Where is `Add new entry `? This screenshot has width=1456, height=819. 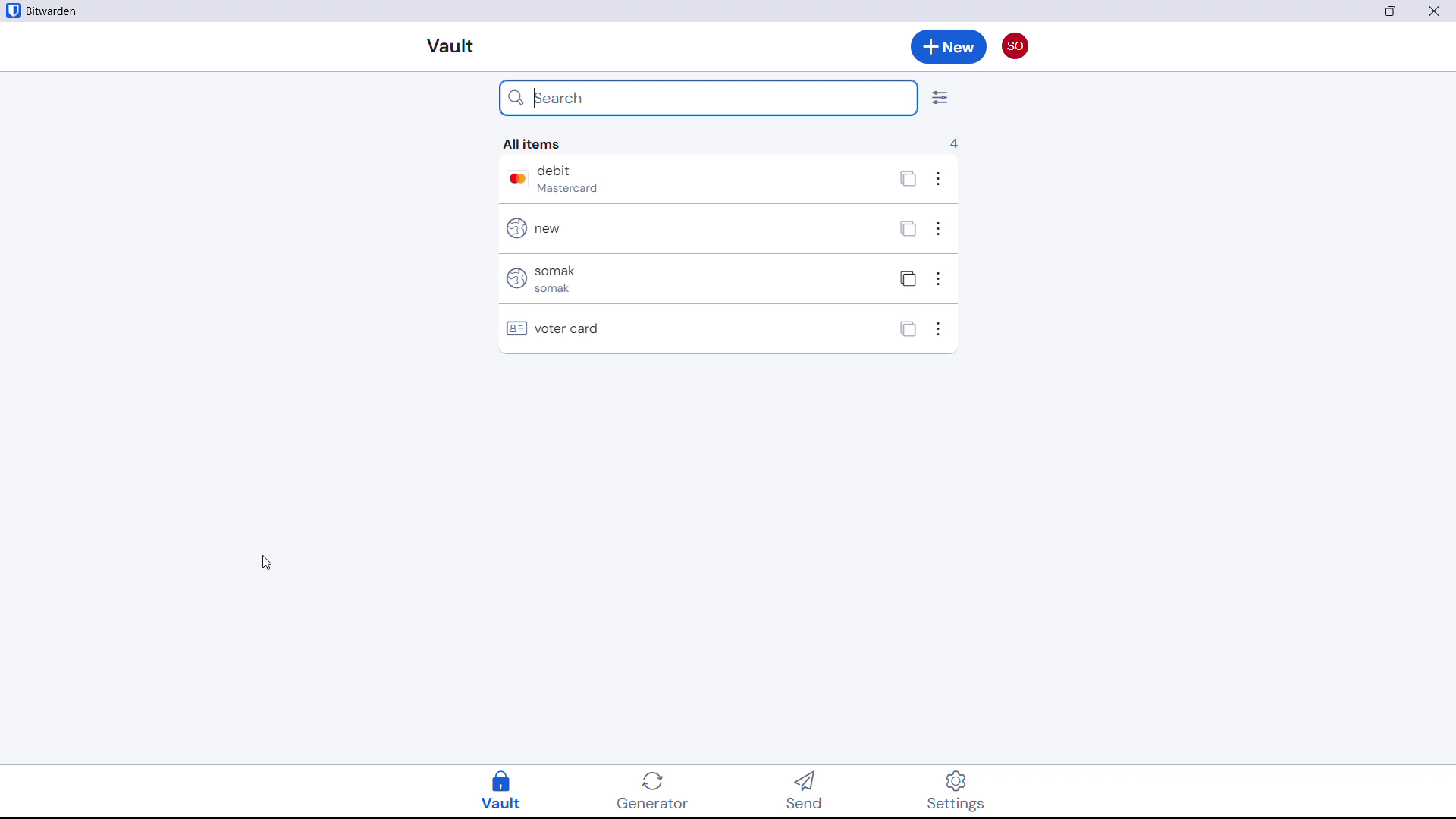
Add new entry  is located at coordinates (949, 46).